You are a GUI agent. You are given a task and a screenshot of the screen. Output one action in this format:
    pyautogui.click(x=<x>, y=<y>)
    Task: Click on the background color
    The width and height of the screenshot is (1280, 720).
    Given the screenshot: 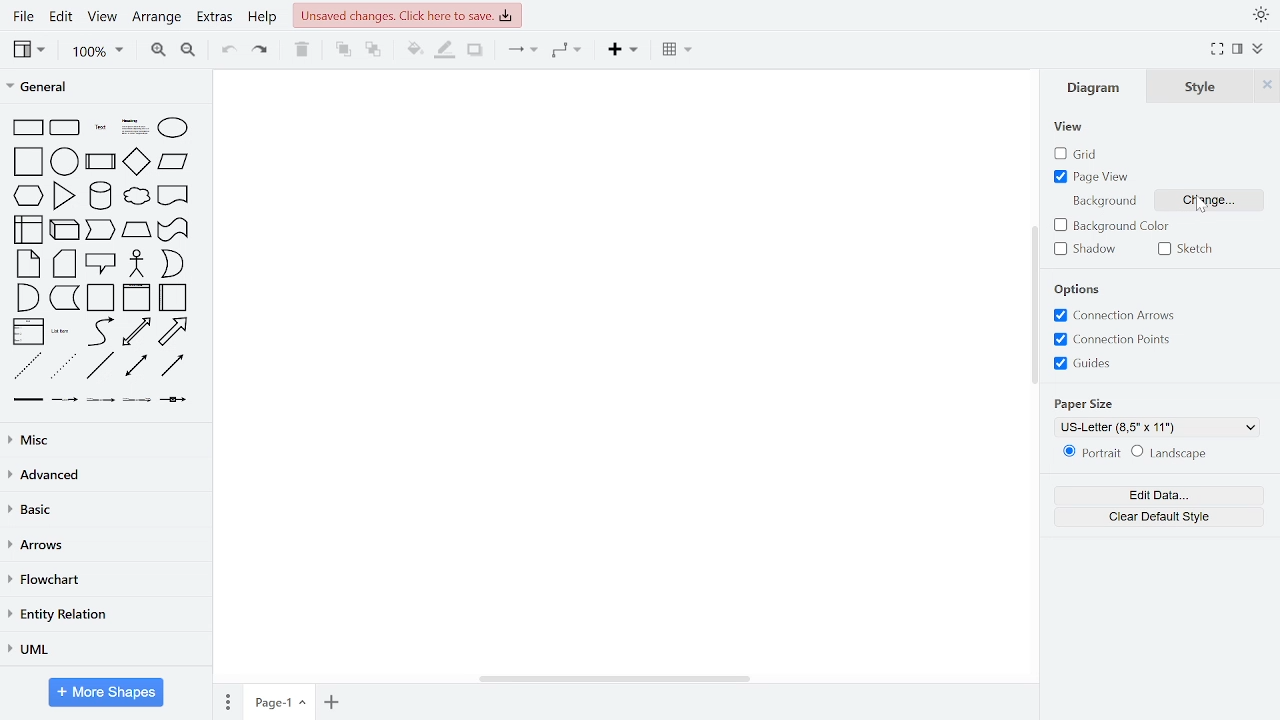 What is the action you would take?
    pyautogui.click(x=1110, y=225)
    